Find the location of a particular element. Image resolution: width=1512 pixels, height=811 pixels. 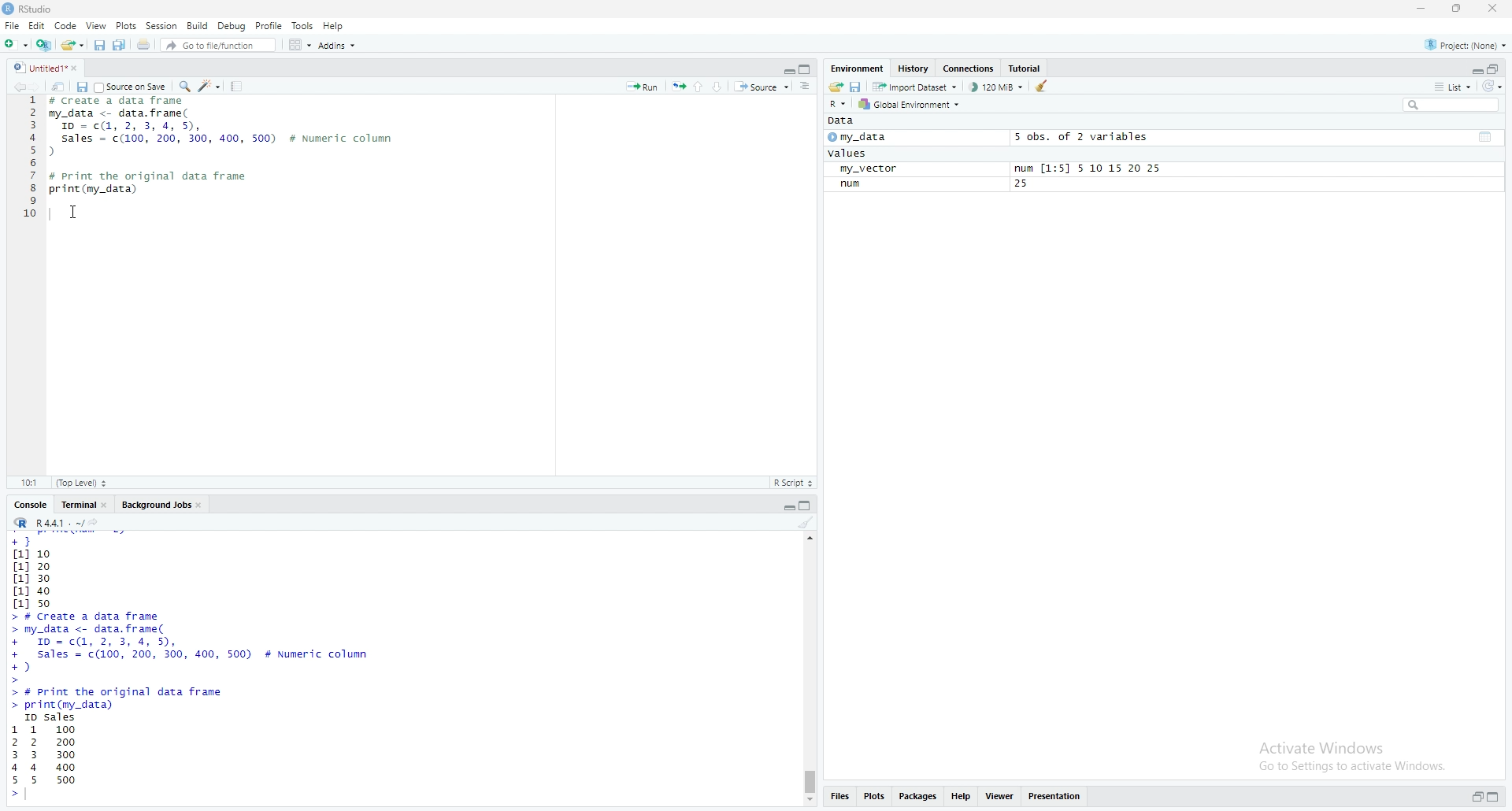

go to next section/chunk is located at coordinates (721, 88).